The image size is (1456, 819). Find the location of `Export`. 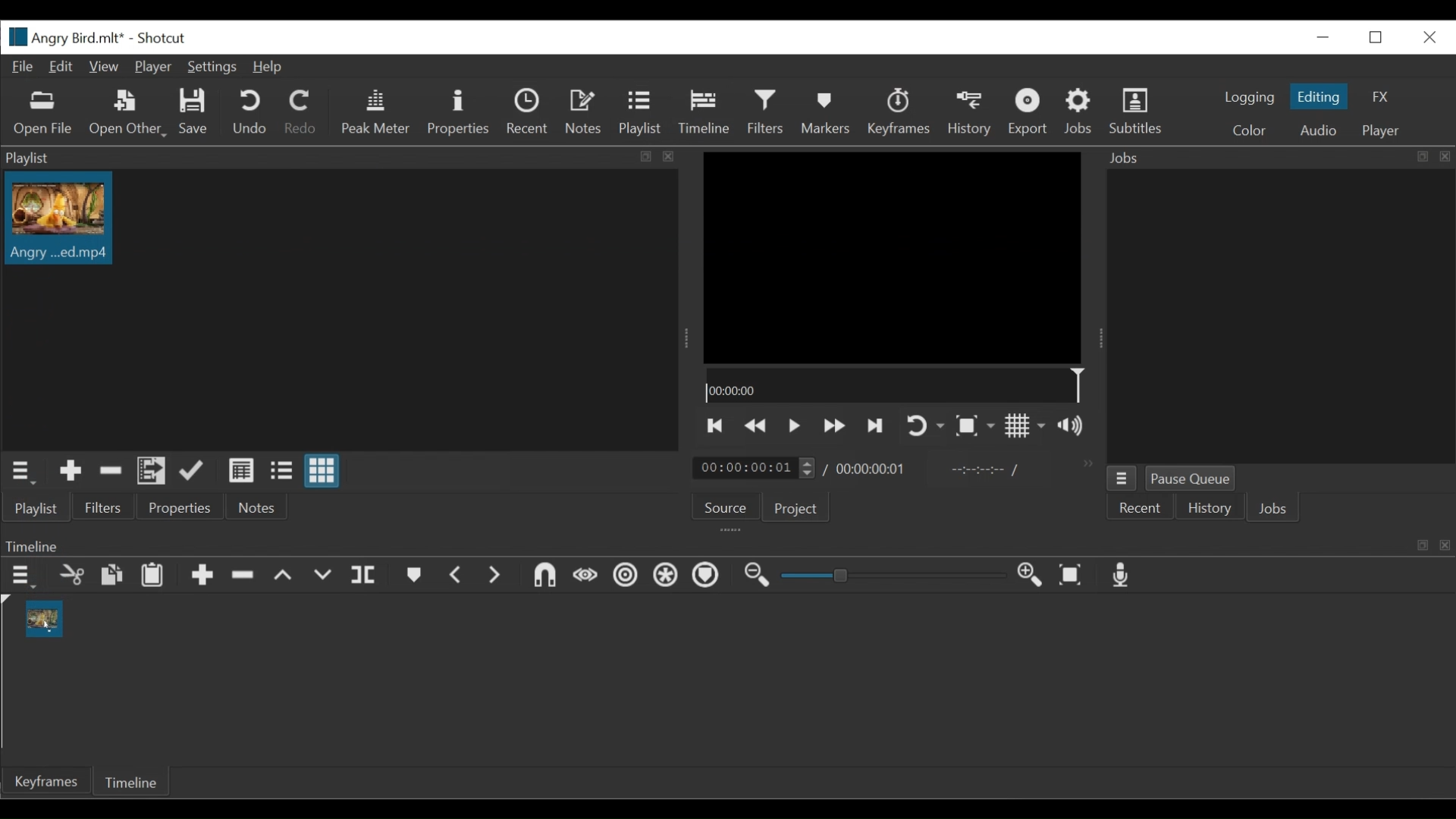

Export is located at coordinates (1029, 114).